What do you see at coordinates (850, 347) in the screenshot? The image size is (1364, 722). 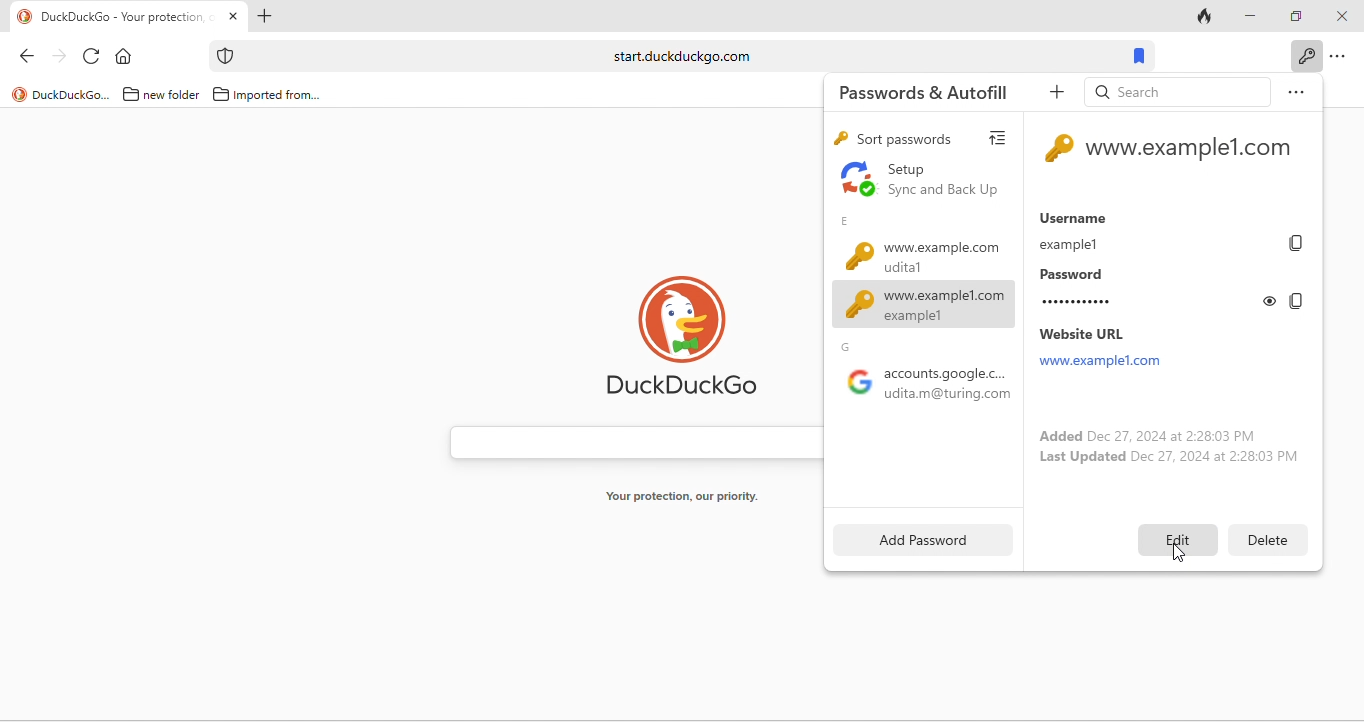 I see `g` at bounding box center [850, 347].